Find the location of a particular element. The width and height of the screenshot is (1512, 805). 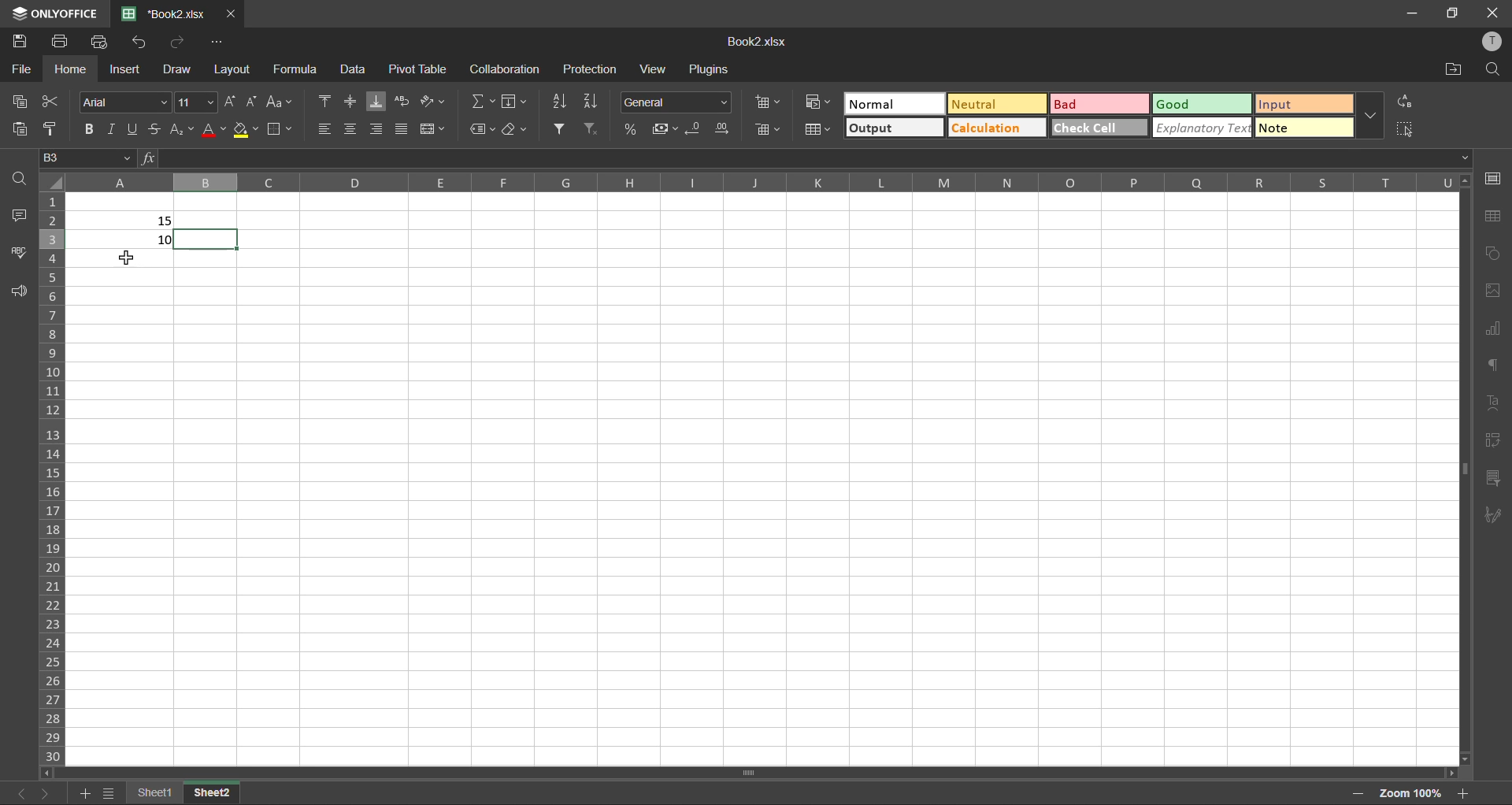

select all is located at coordinates (1406, 128).